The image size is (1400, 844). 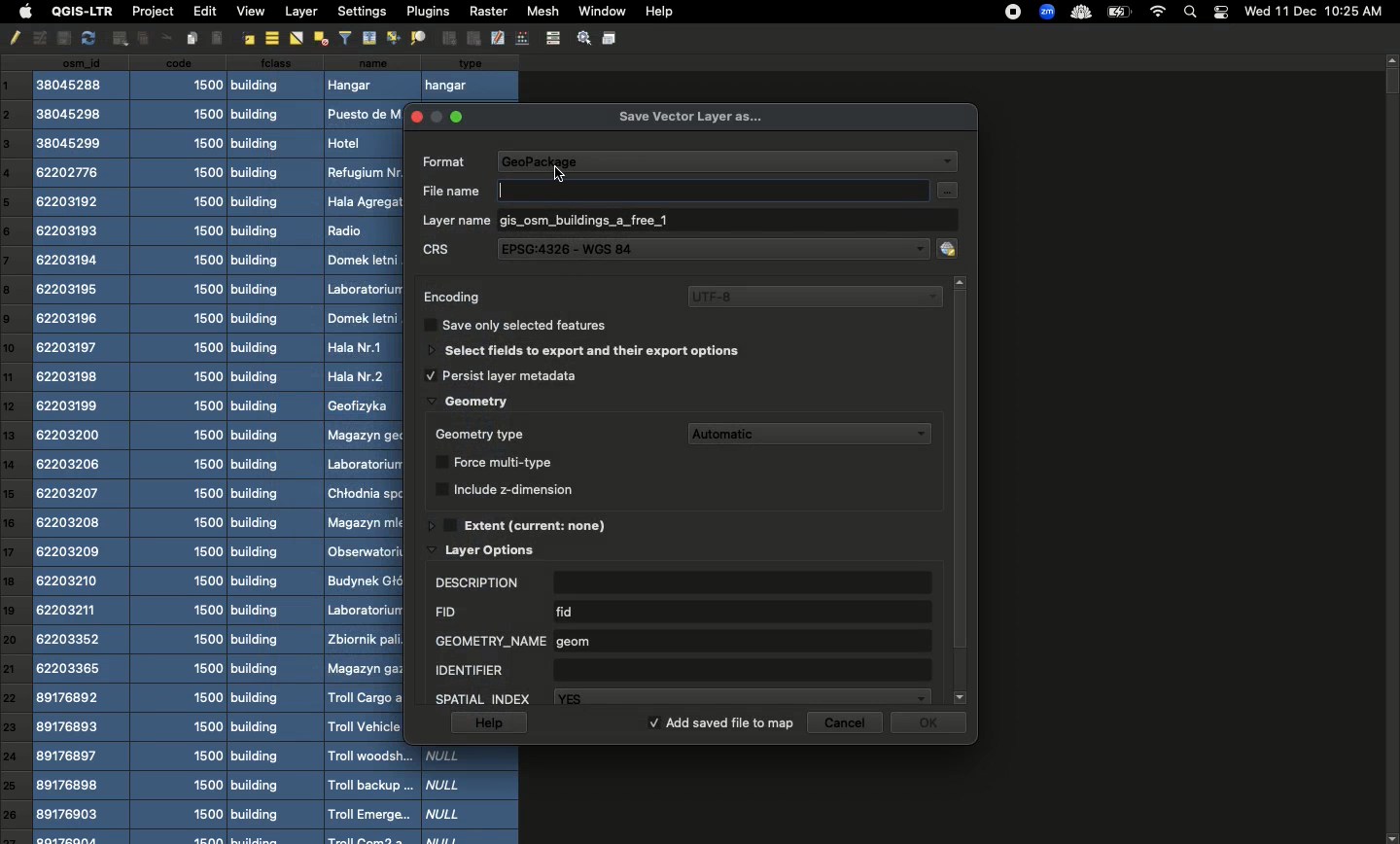 What do you see at coordinates (1313, 11) in the screenshot?
I see `Date time` at bounding box center [1313, 11].